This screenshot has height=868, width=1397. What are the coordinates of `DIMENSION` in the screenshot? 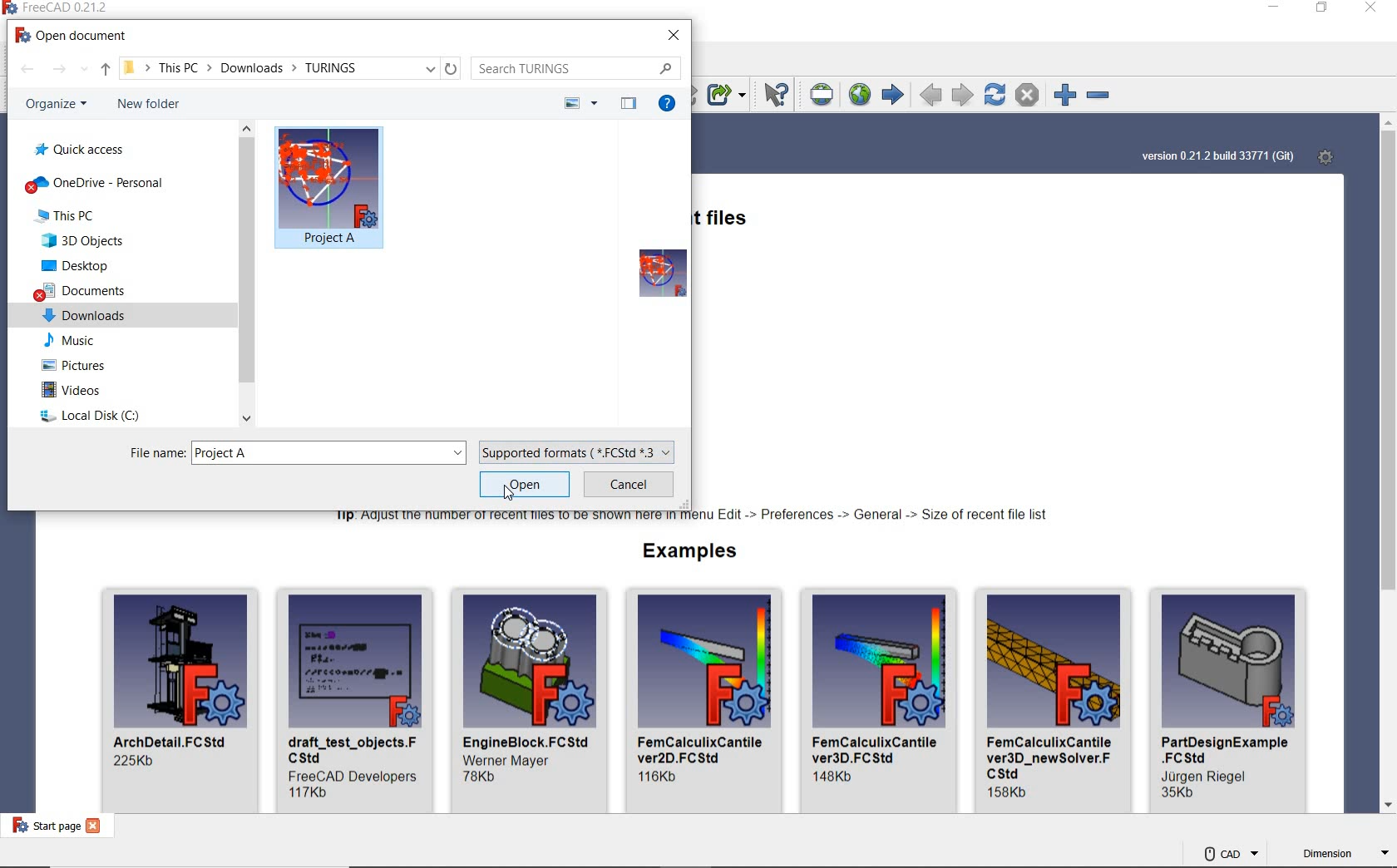 It's located at (1345, 856).